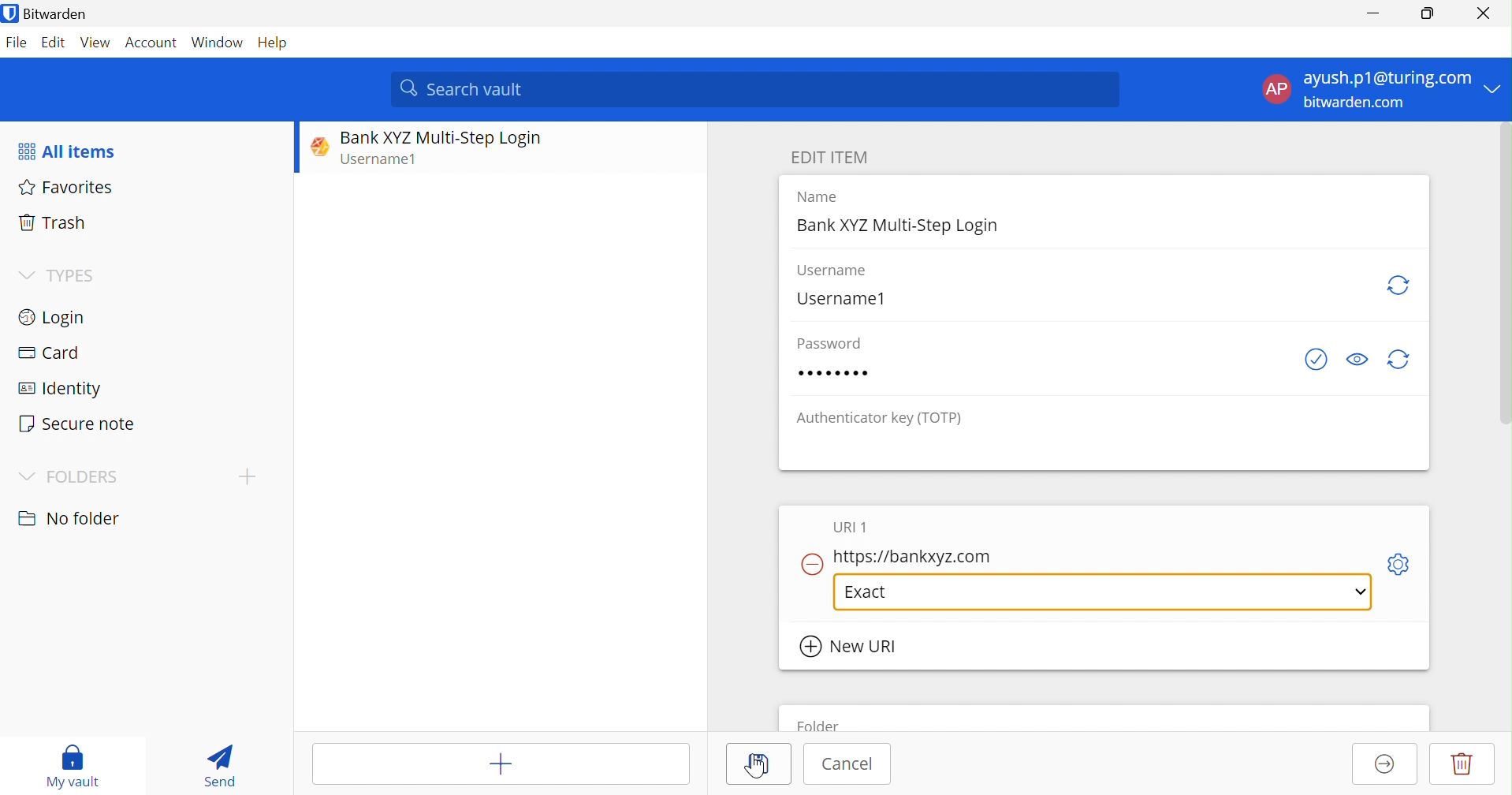 The image size is (1512, 795). Describe the element at coordinates (84, 477) in the screenshot. I see `FOLDERS` at that location.